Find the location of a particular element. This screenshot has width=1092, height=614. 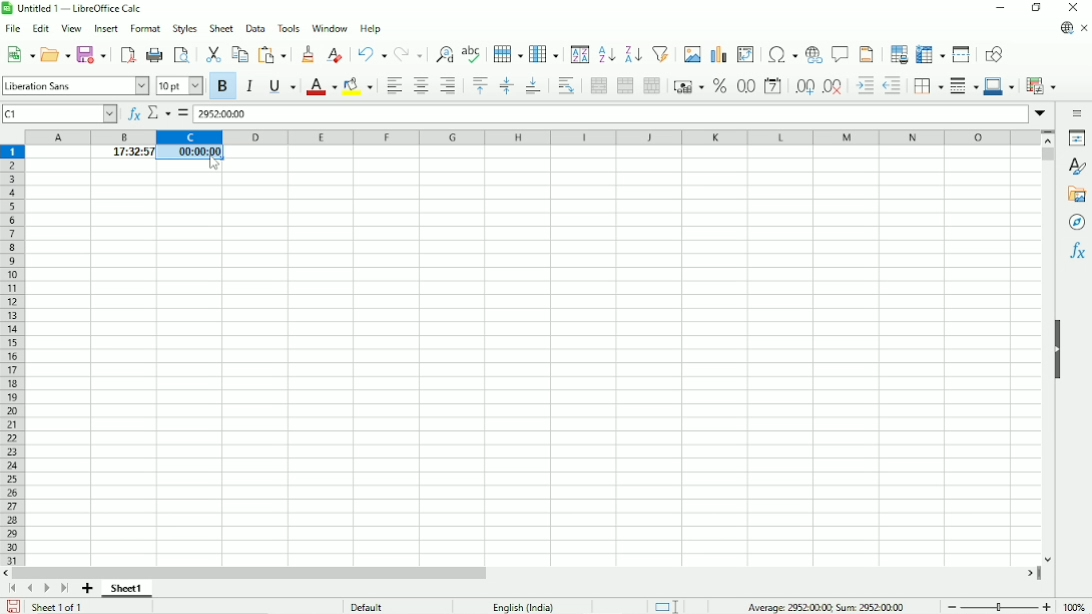

Sort is located at coordinates (578, 55).